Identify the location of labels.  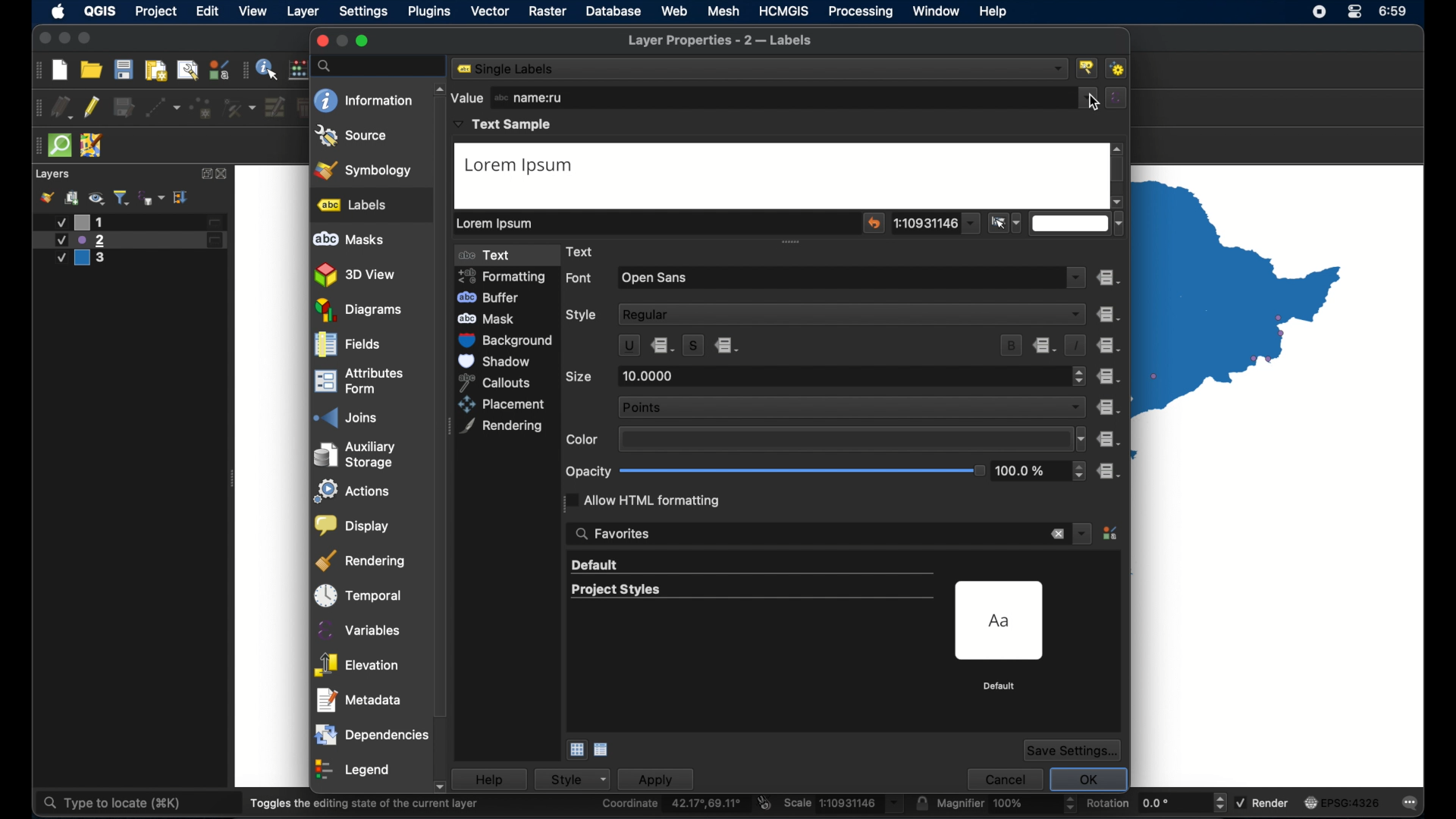
(353, 205).